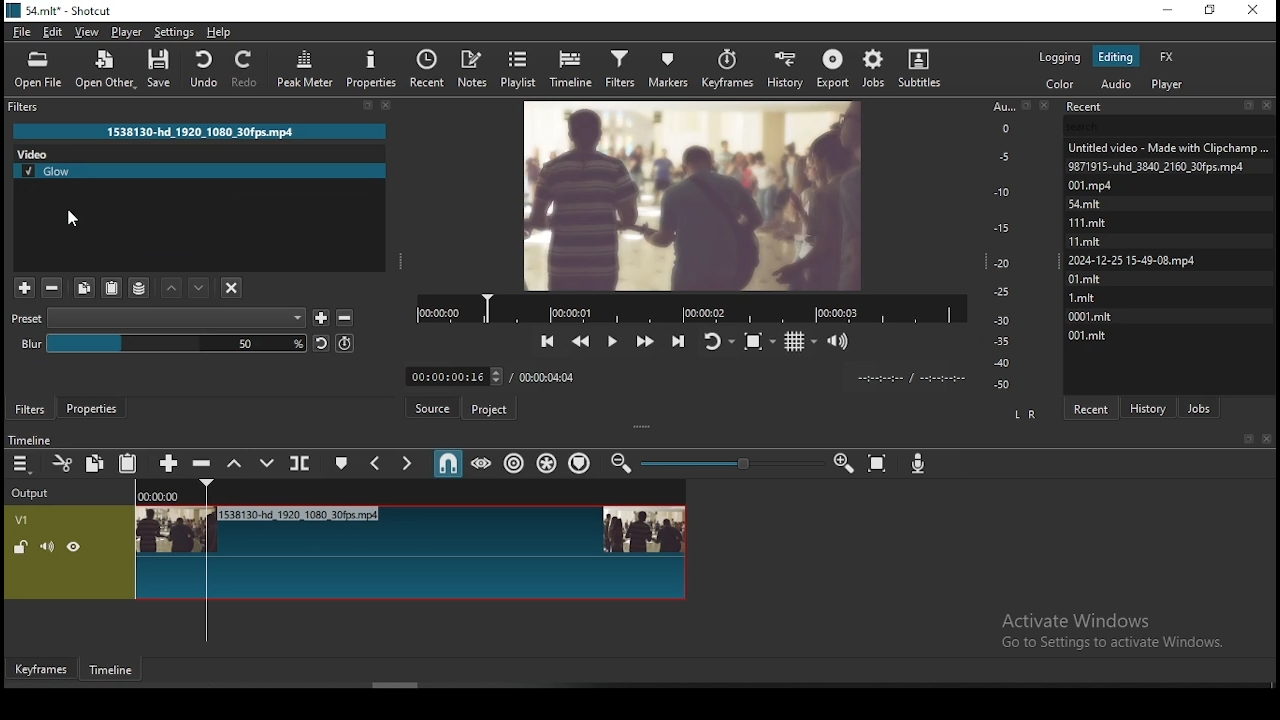 This screenshot has width=1280, height=720. What do you see at coordinates (319, 344) in the screenshot?
I see `reset to default` at bounding box center [319, 344].